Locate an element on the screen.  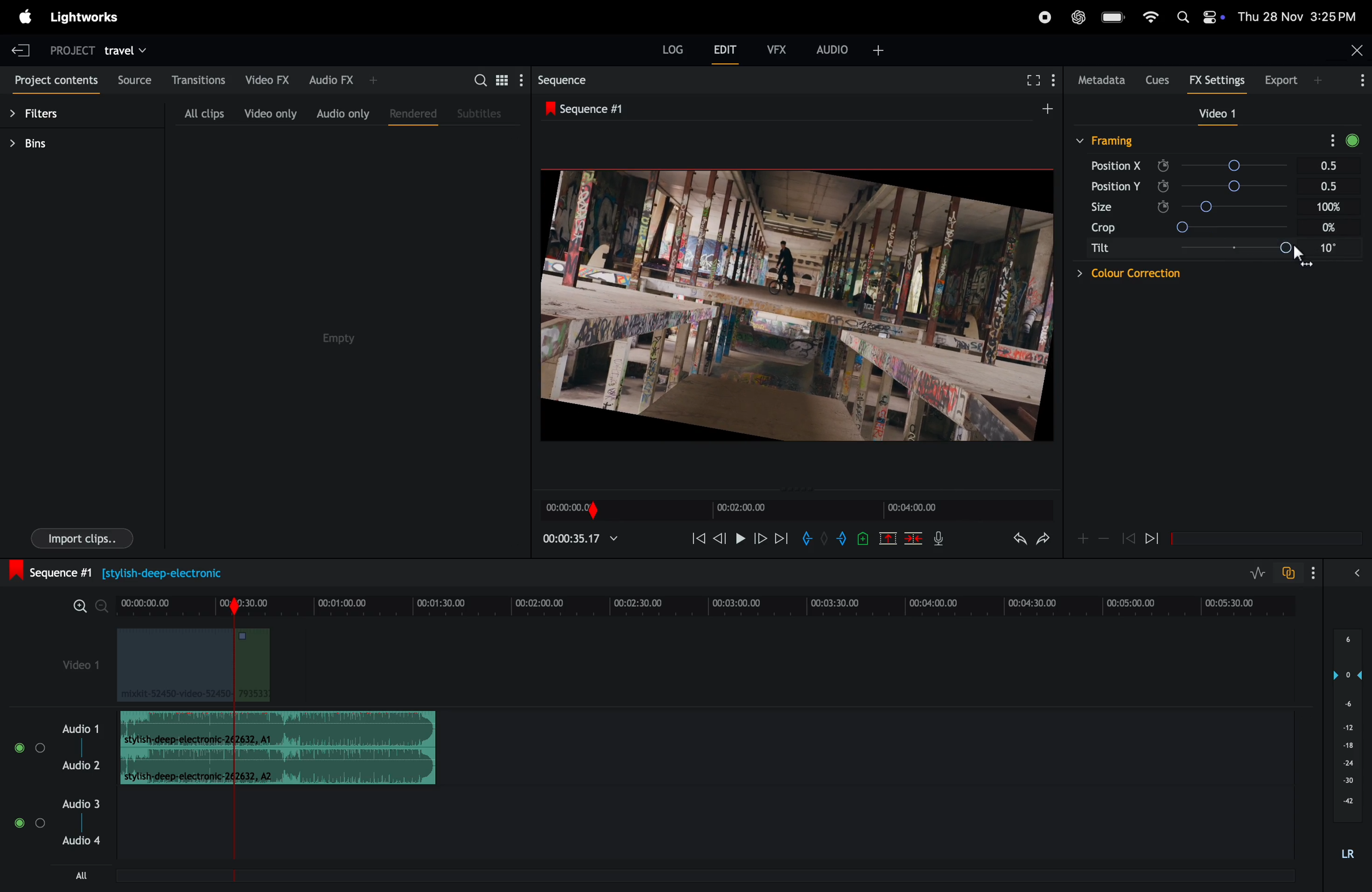
video Fx is located at coordinates (266, 78).